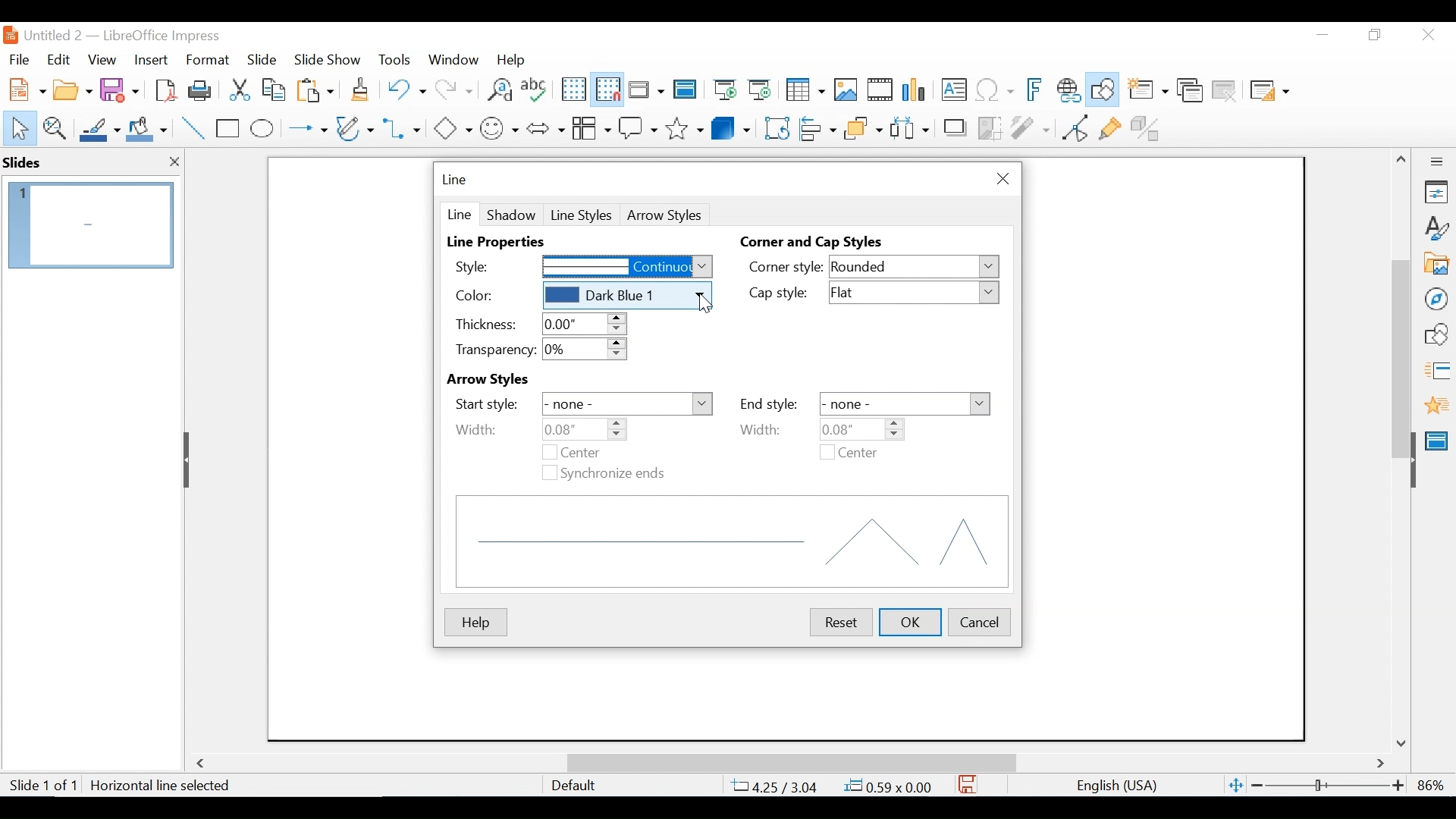  What do you see at coordinates (362, 89) in the screenshot?
I see `Clone Formatting` at bounding box center [362, 89].